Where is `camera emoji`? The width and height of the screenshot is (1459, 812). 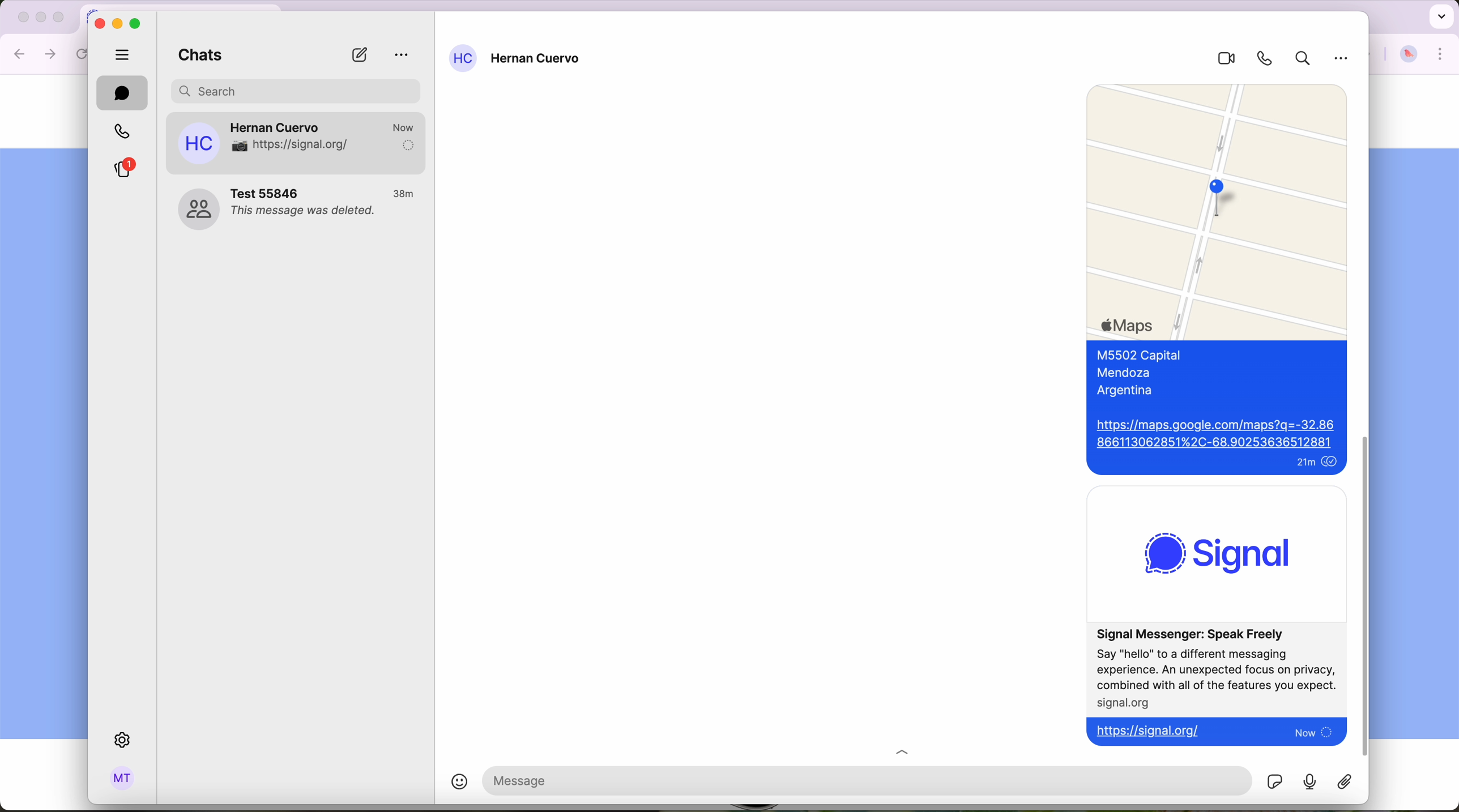 camera emoji is located at coordinates (237, 146).